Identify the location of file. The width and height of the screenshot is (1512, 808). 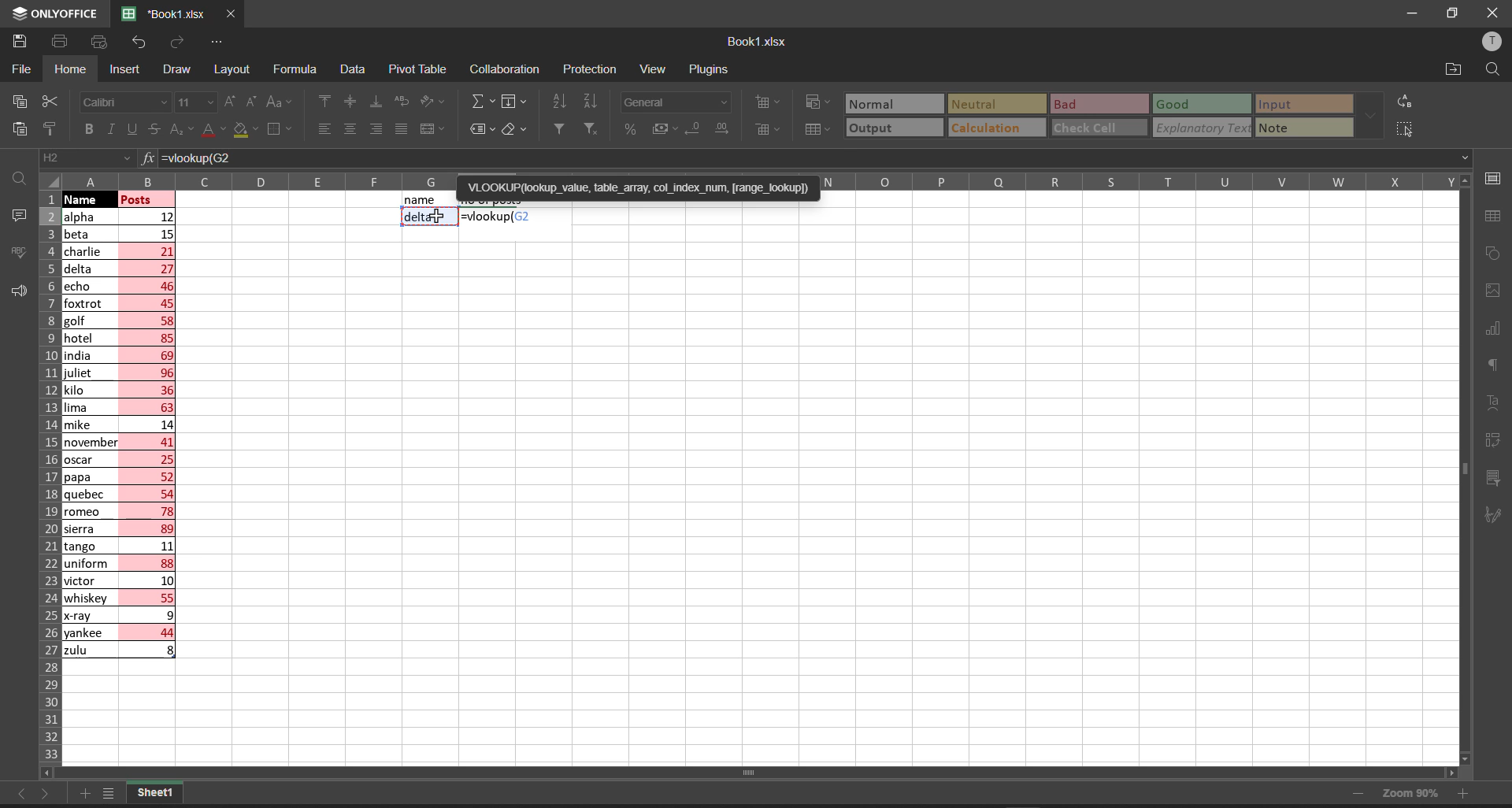
(23, 68).